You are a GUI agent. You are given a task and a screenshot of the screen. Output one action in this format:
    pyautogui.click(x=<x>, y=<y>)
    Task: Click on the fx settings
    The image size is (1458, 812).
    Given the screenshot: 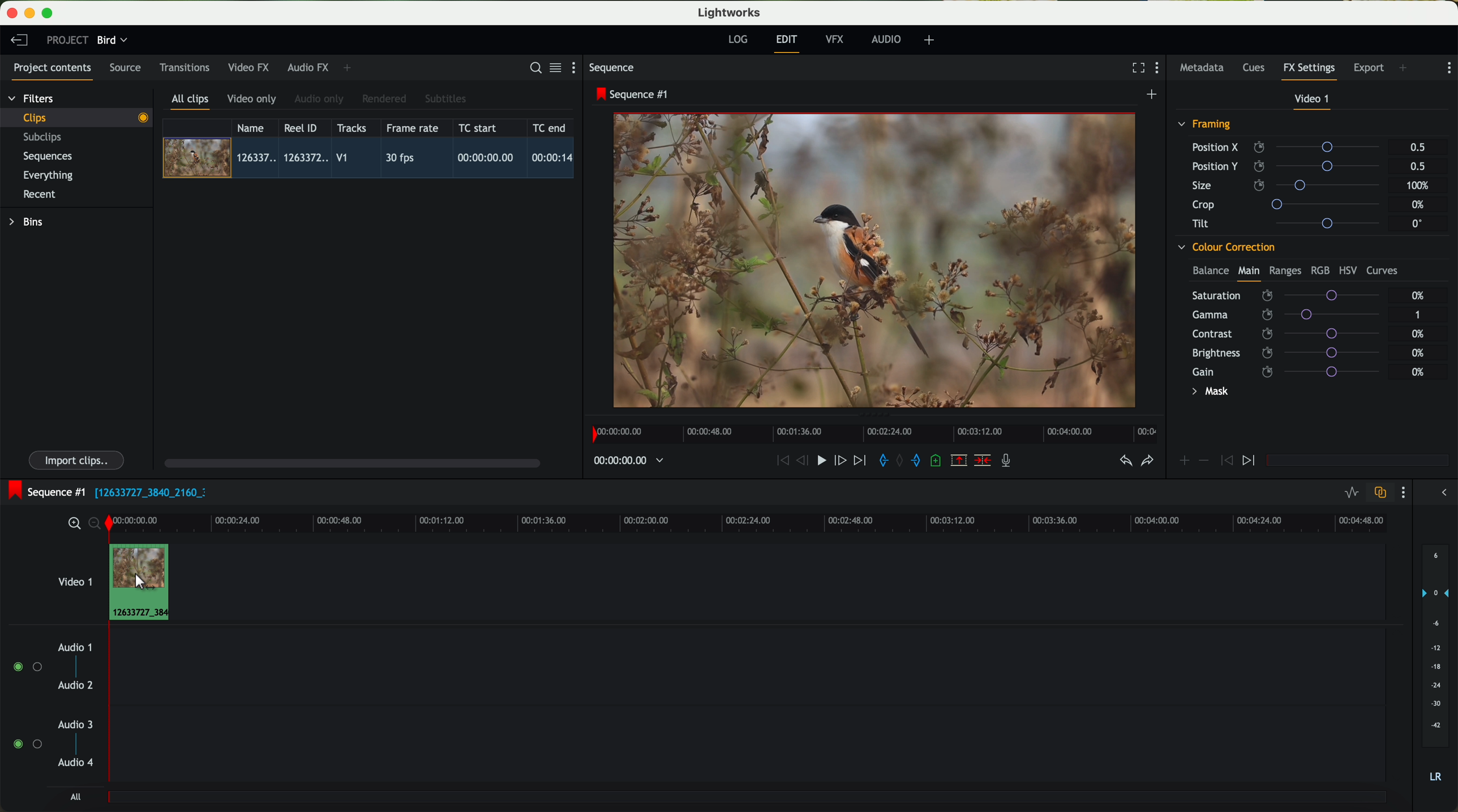 What is the action you would take?
    pyautogui.click(x=1309, y=71)
    